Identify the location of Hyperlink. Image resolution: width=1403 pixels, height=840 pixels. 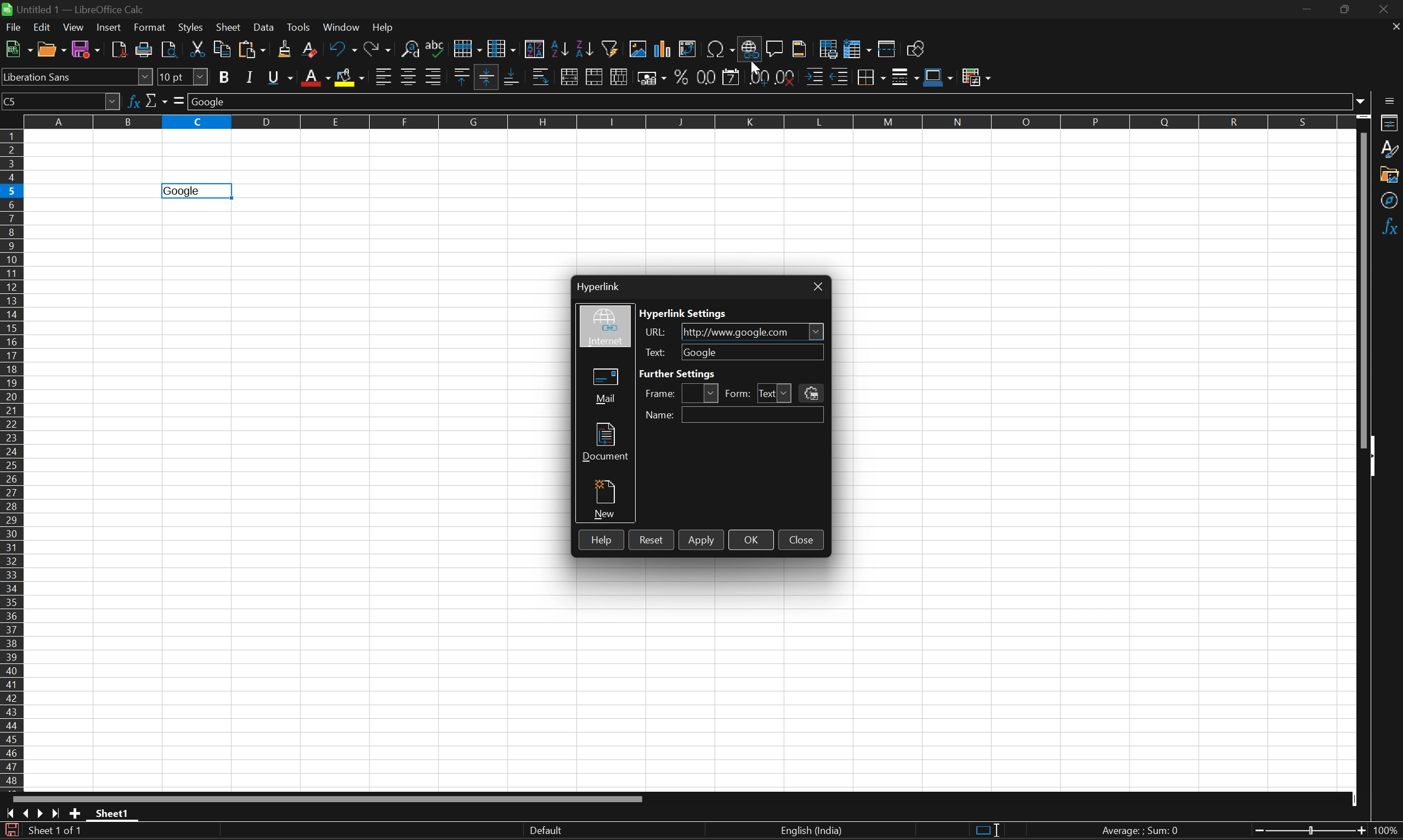
(597, 286).